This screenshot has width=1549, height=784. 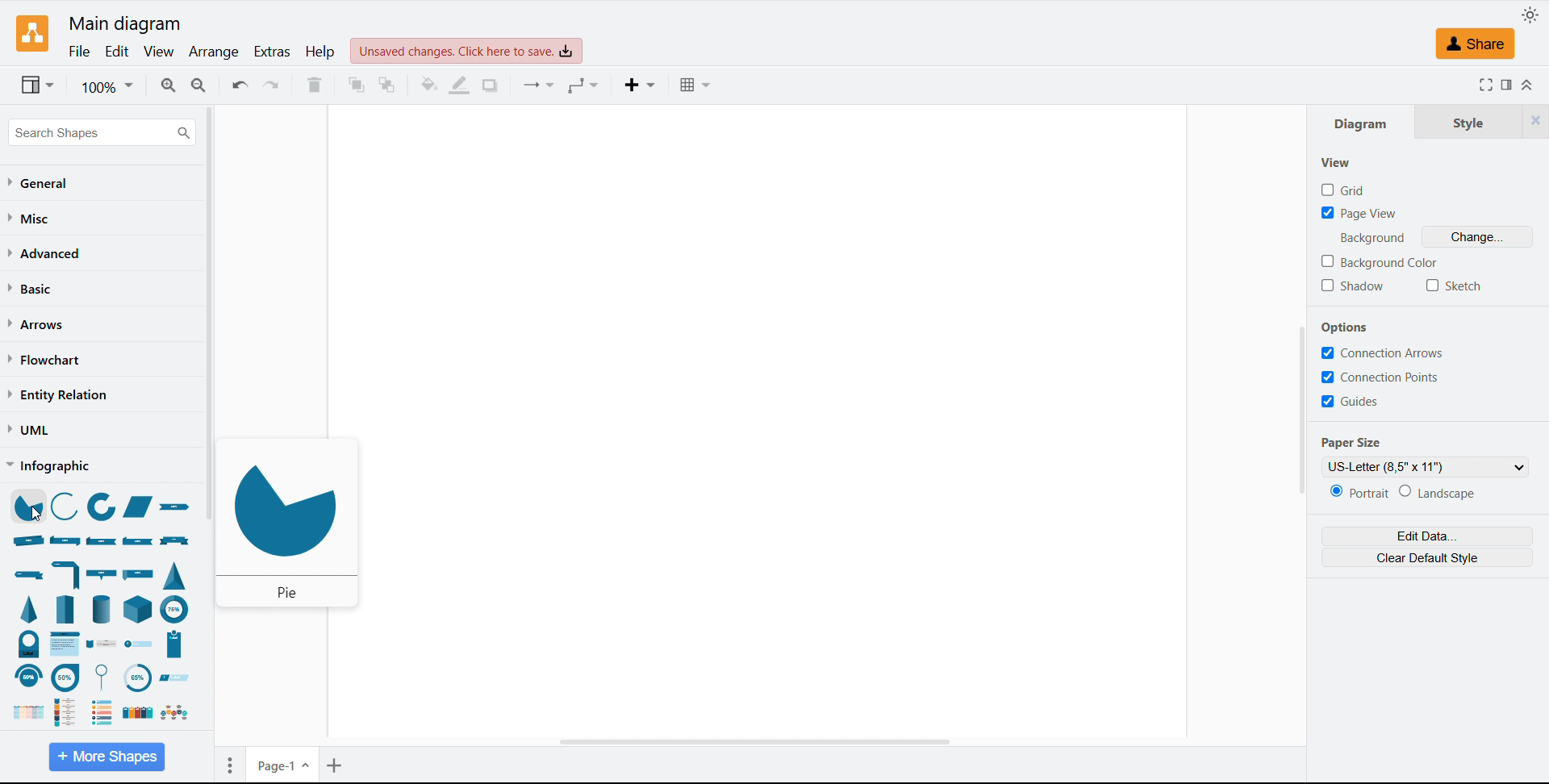 What do you see at coordinates (33, 33) in the screenshot?
I see `Logo ` at bounding box center [33, 33].